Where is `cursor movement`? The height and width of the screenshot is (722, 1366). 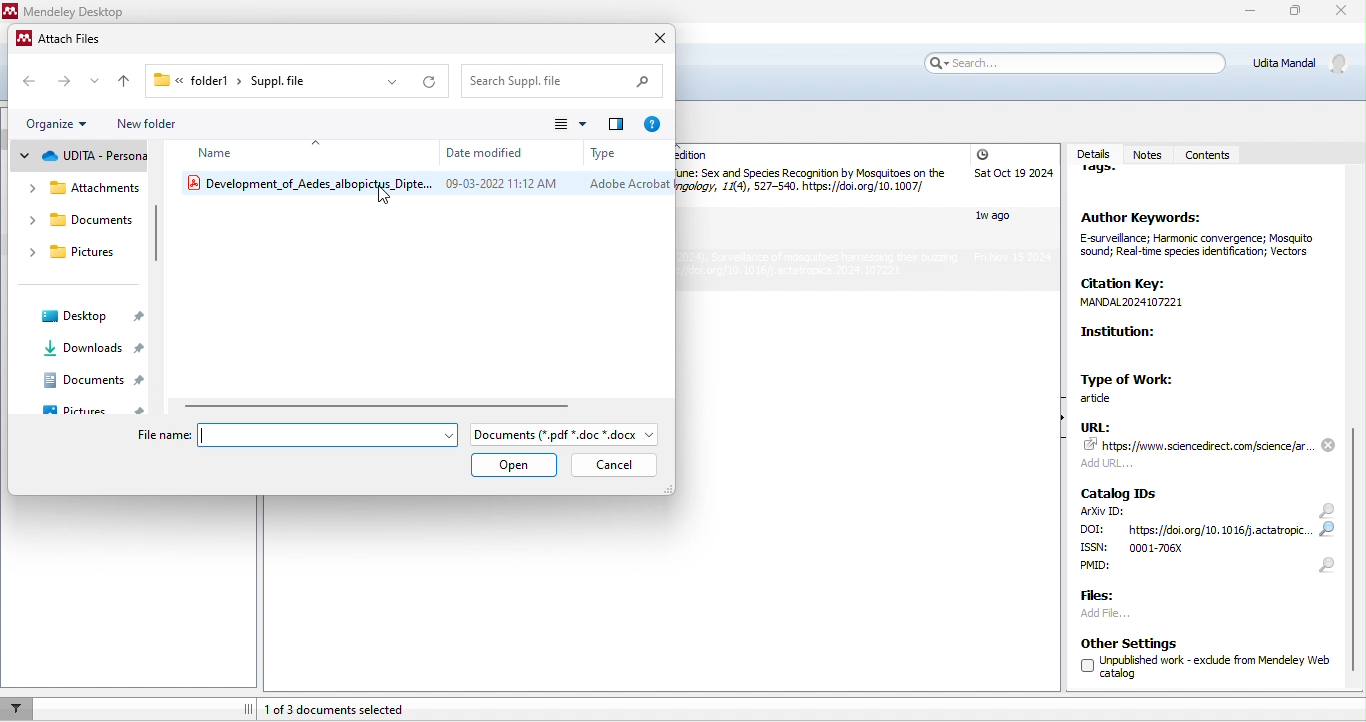
cursor movement is located at coordinates (398, 205).